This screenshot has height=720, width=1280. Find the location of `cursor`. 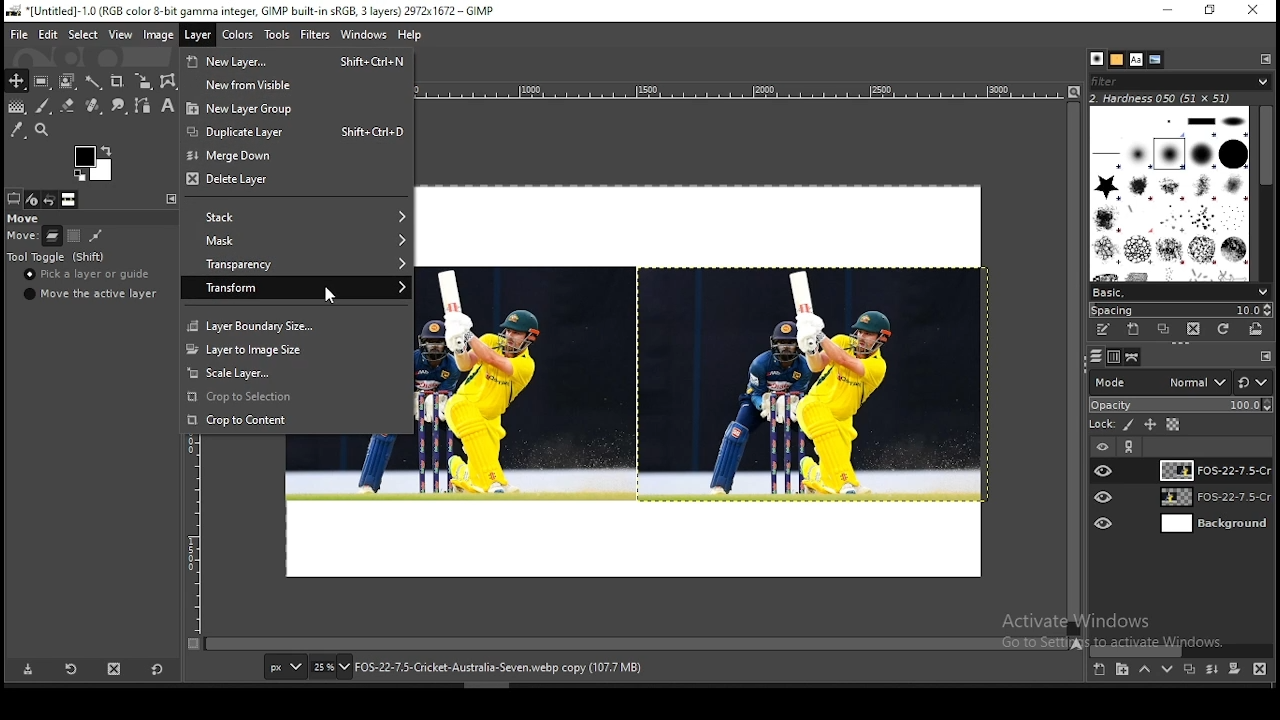

cursor is located at coordinates (333, 296).